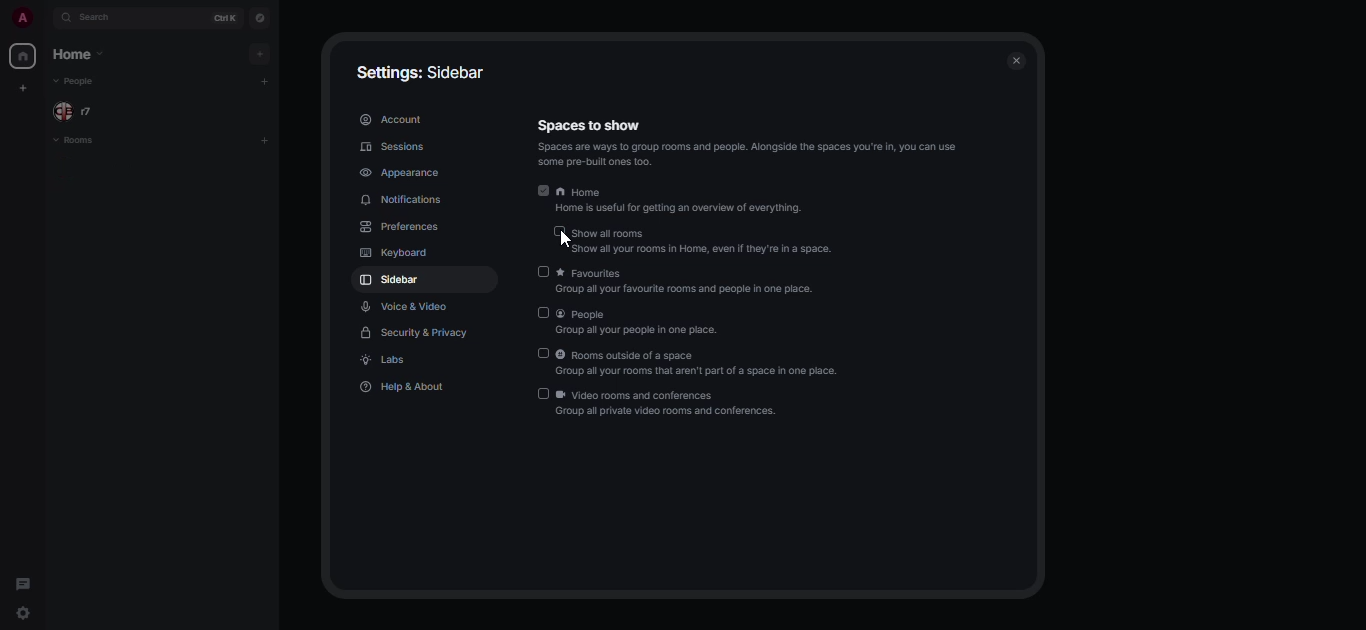 The height and width of the screenshot is (630, 1366). I want to click on cursor, so click(564, 241).